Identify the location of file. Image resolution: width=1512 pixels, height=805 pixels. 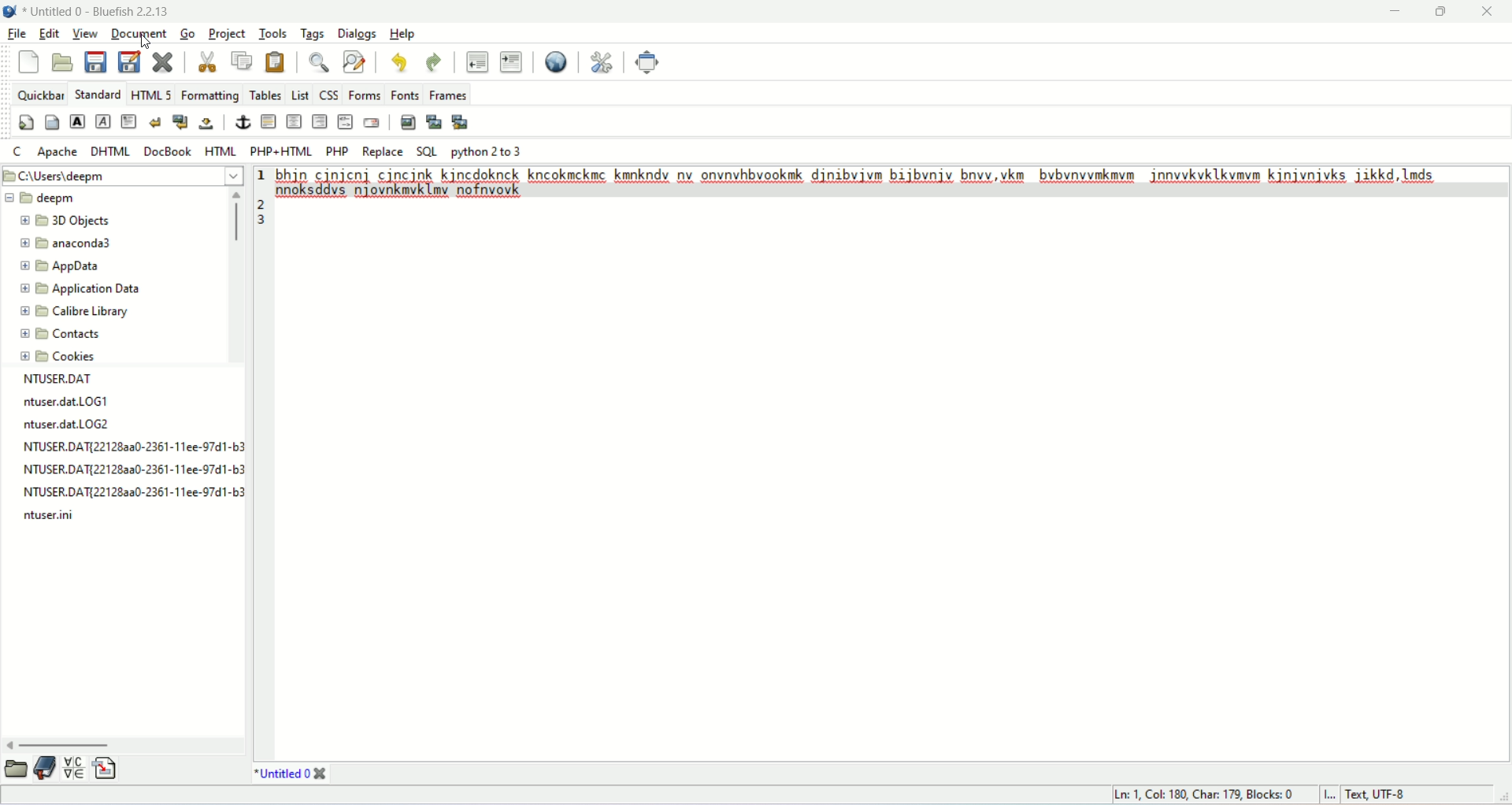
(20, 35).